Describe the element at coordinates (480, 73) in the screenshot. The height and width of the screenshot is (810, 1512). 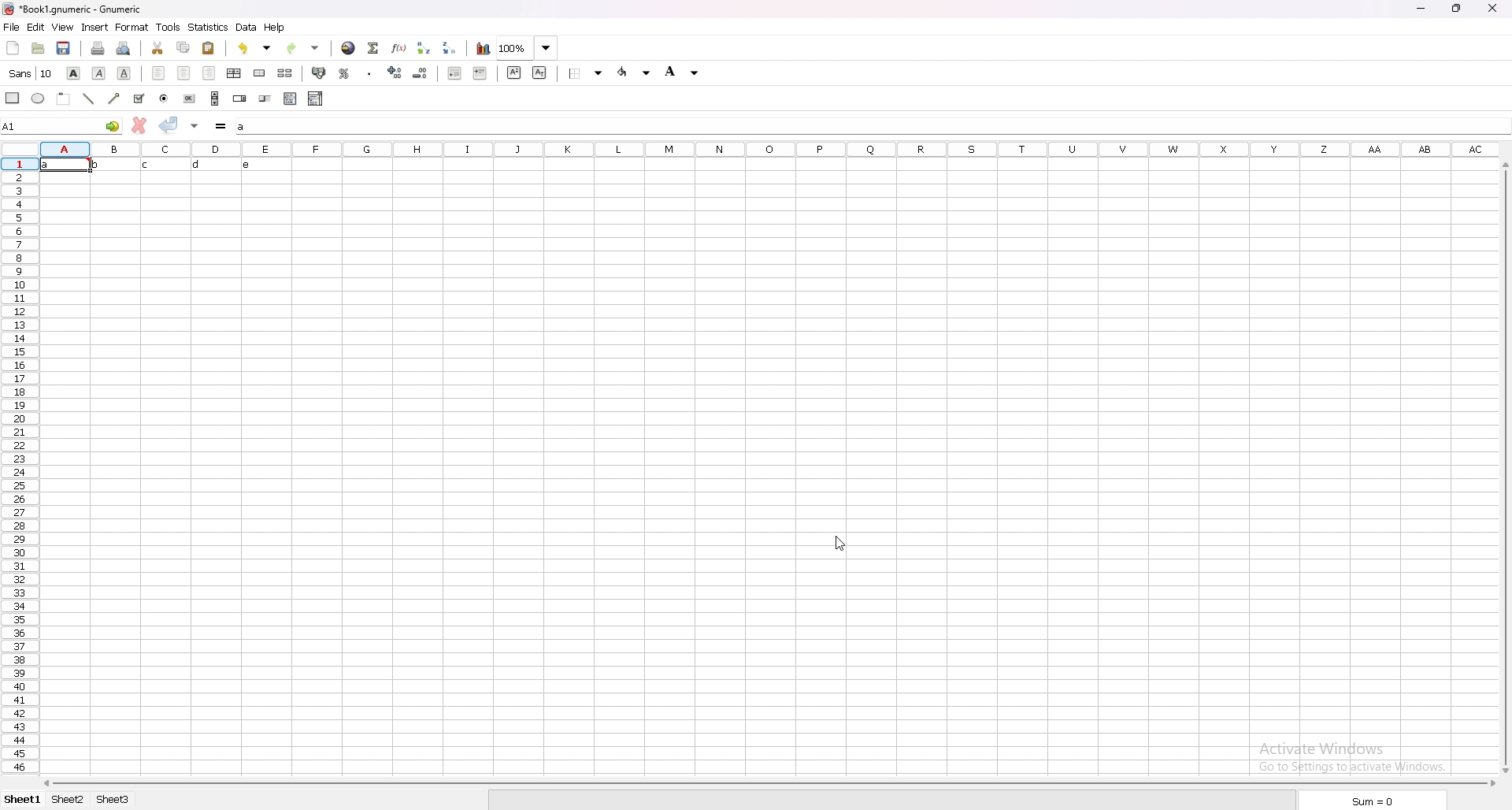
I see `increase indent` at that location.